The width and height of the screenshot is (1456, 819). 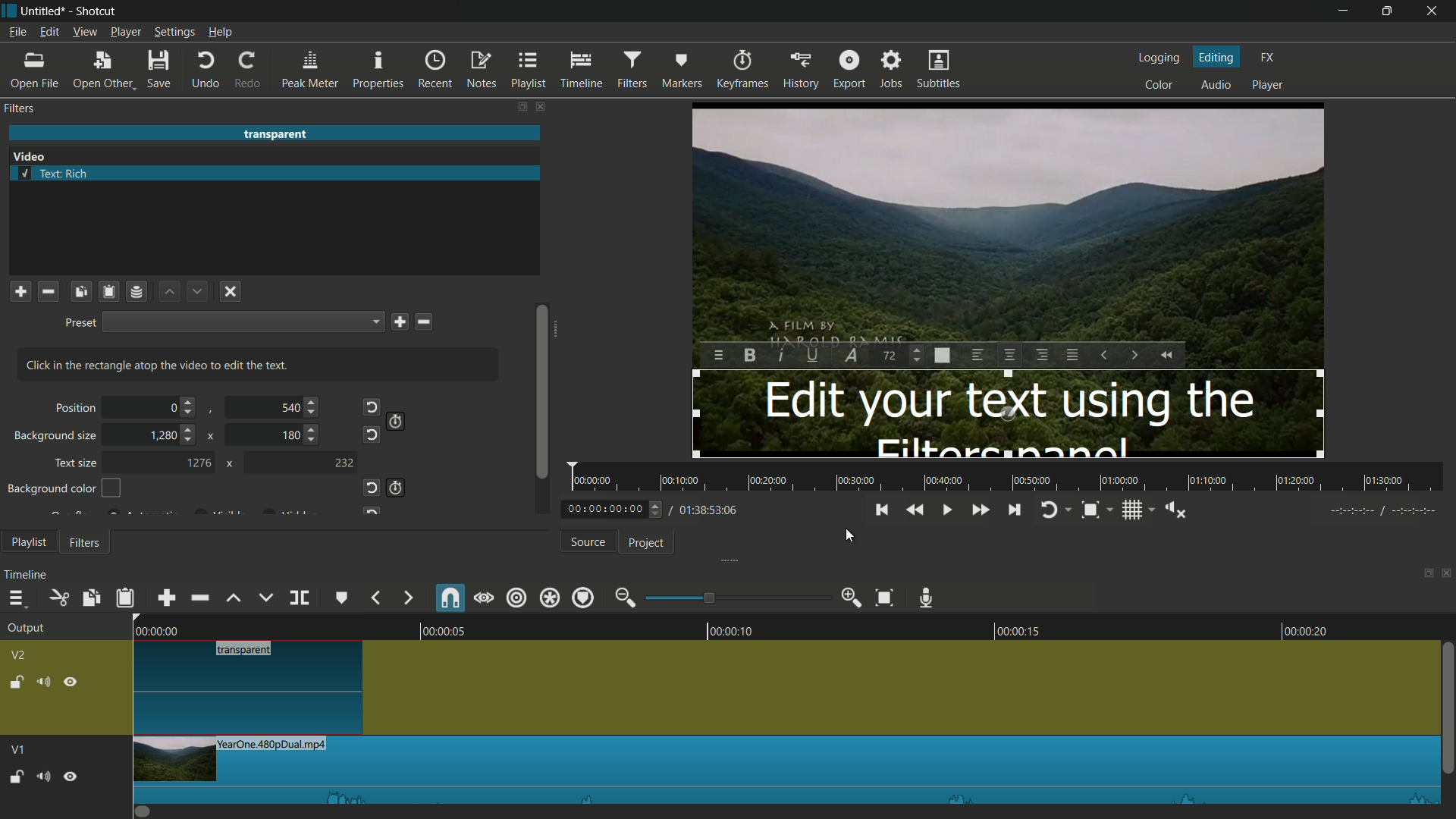 I want to click on split at playhead, so click(x=299, y=598).